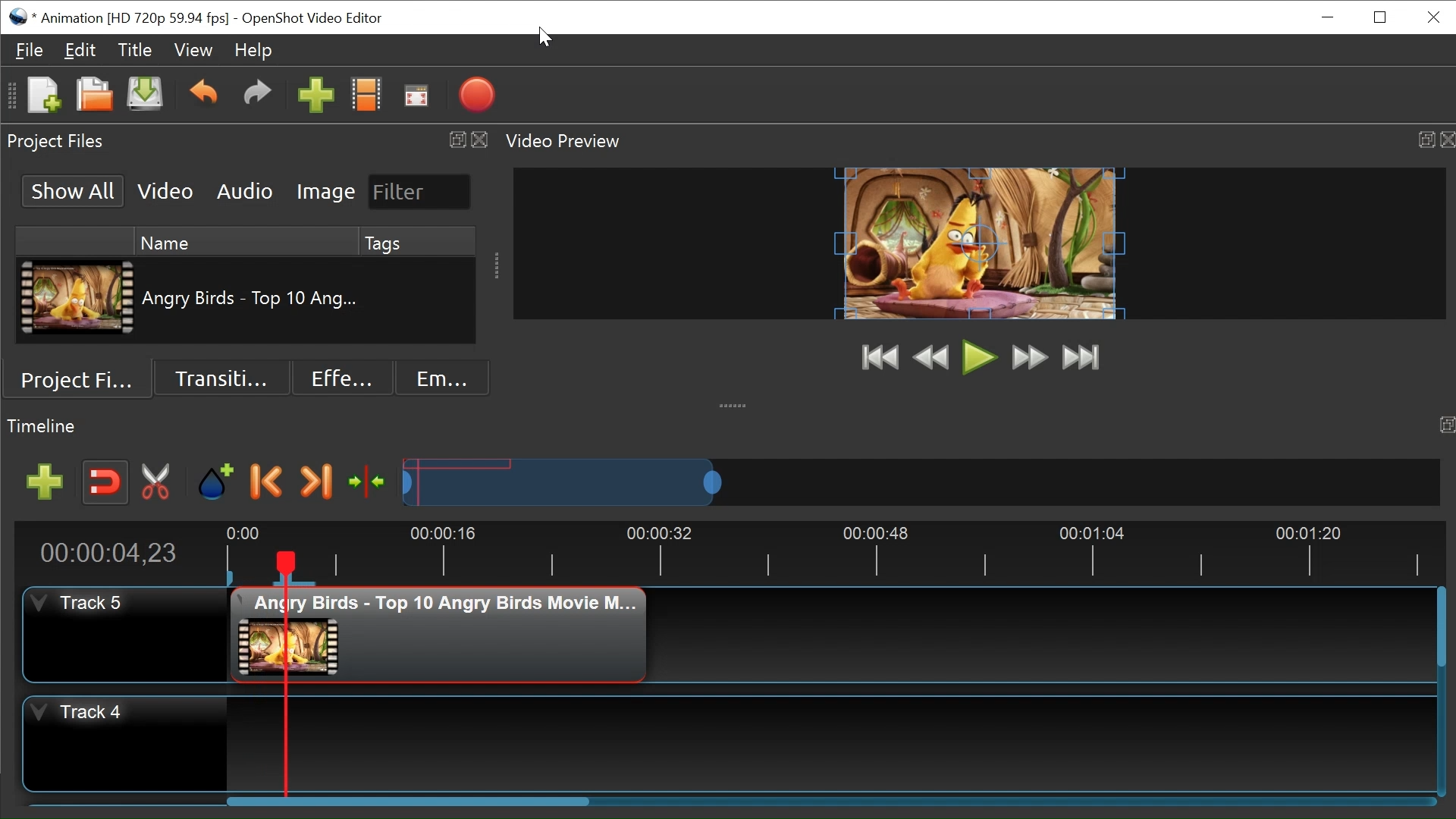 The width and height of the screenshot is (1456, 819). I want to click on Fast Forward, so click(1030, 359).